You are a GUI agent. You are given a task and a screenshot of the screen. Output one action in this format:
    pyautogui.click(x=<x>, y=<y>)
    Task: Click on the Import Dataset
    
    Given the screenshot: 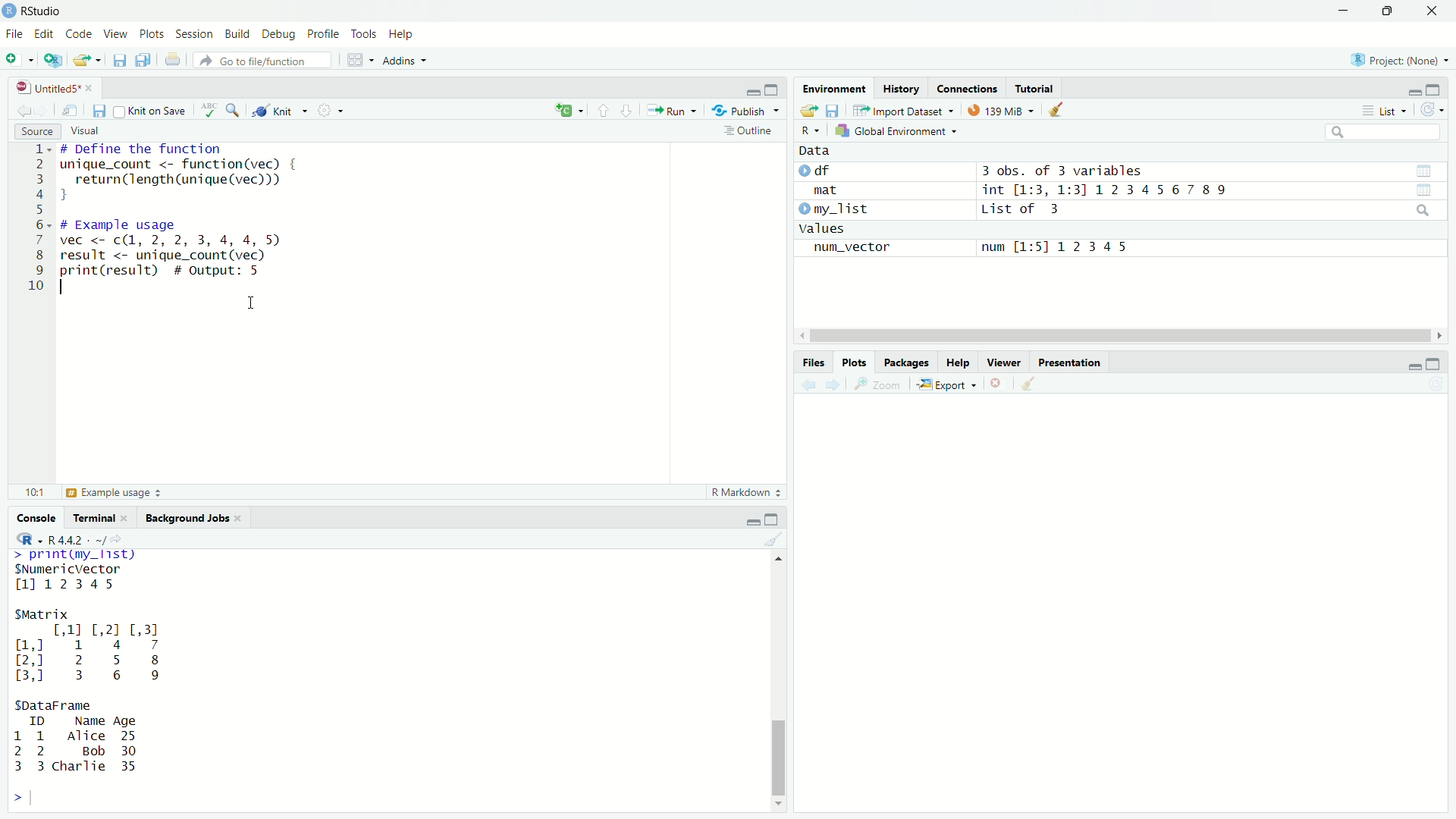 What is the action you would take?
    pyautogui.click(x=902, y=111)
    